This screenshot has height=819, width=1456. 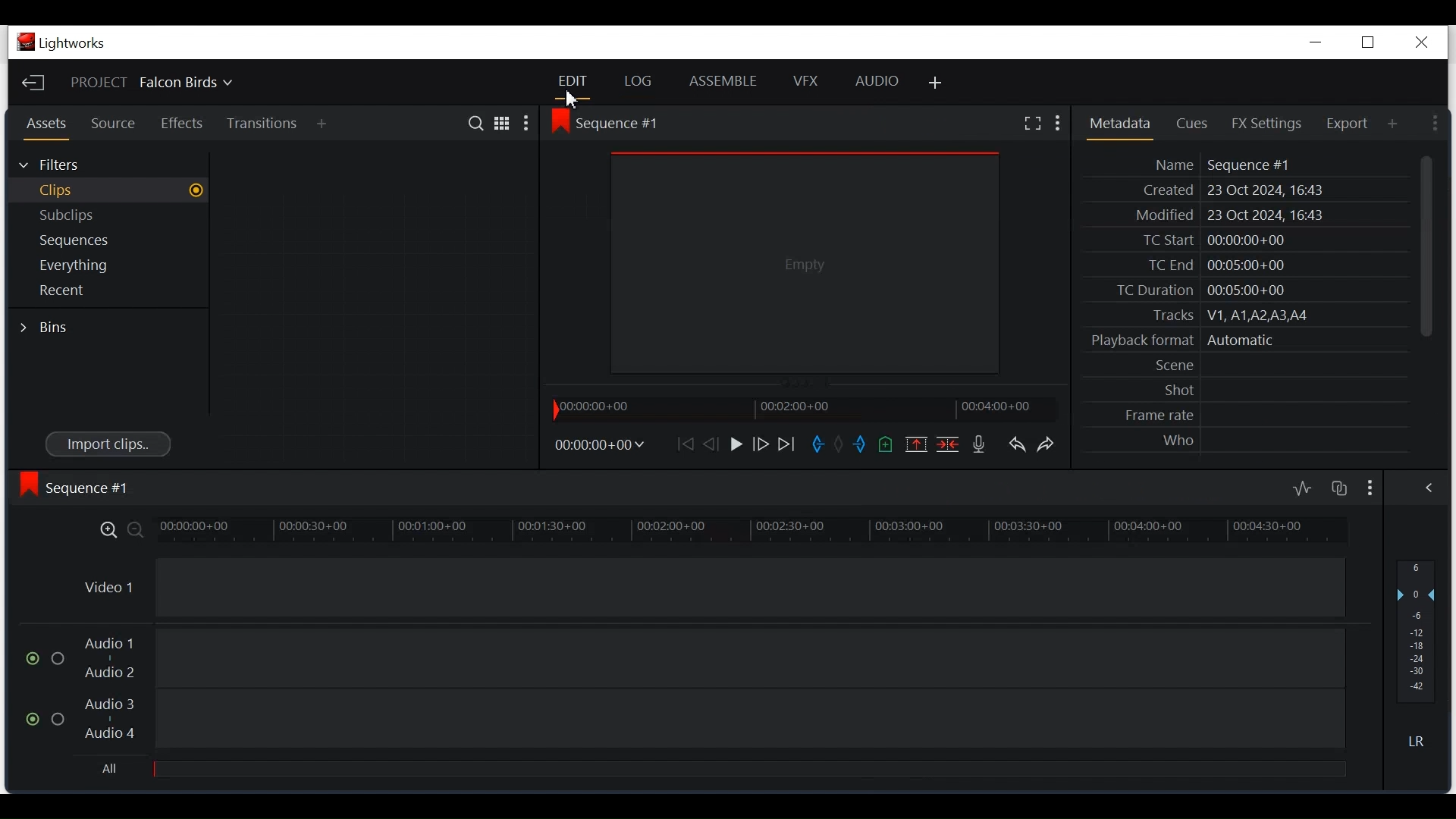 I want to click on Toggle audio levels editing , so click(x=1300, y=489).